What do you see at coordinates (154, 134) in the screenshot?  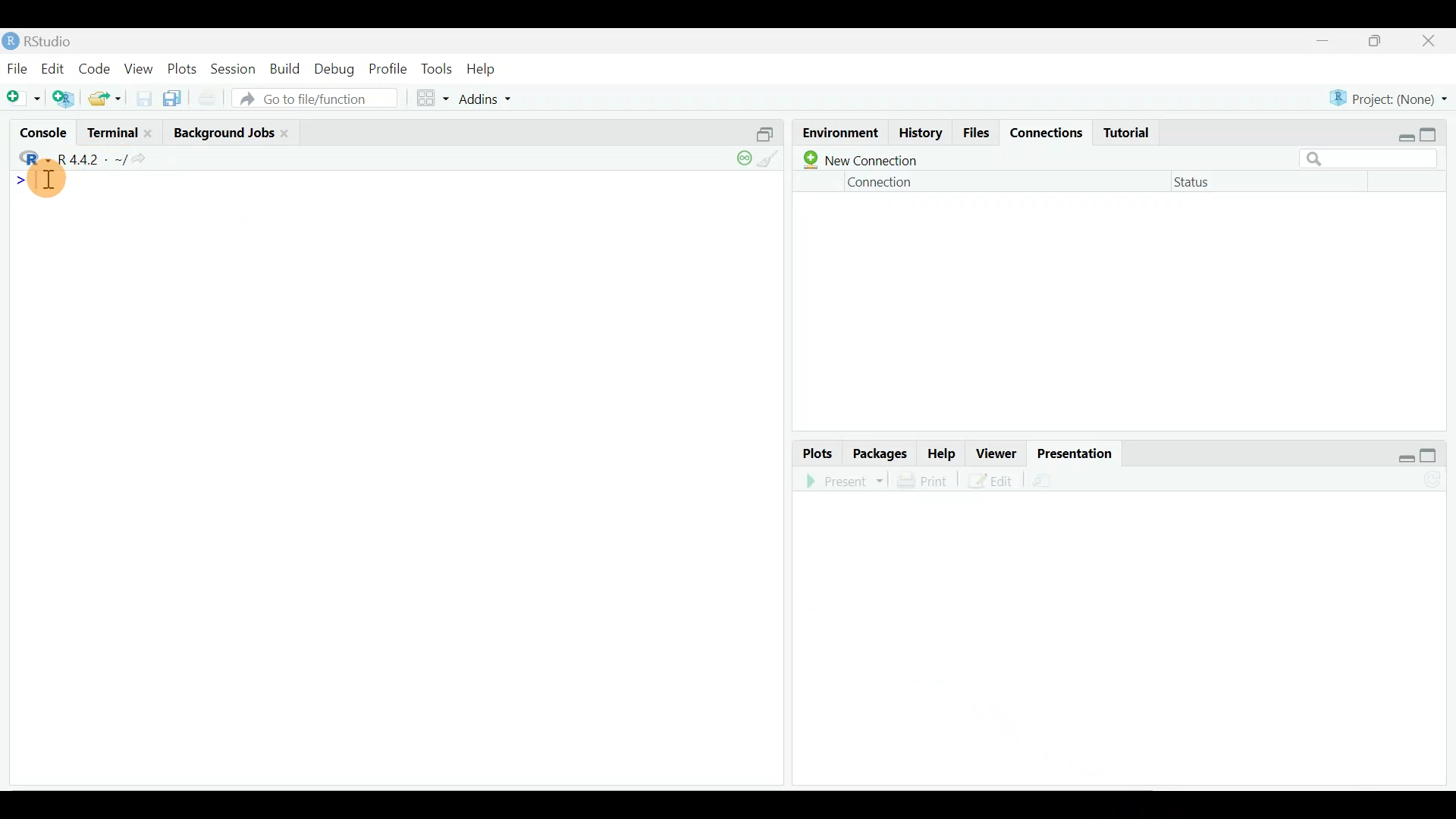 I see `Close terminal` at bounding box center [154, 134].